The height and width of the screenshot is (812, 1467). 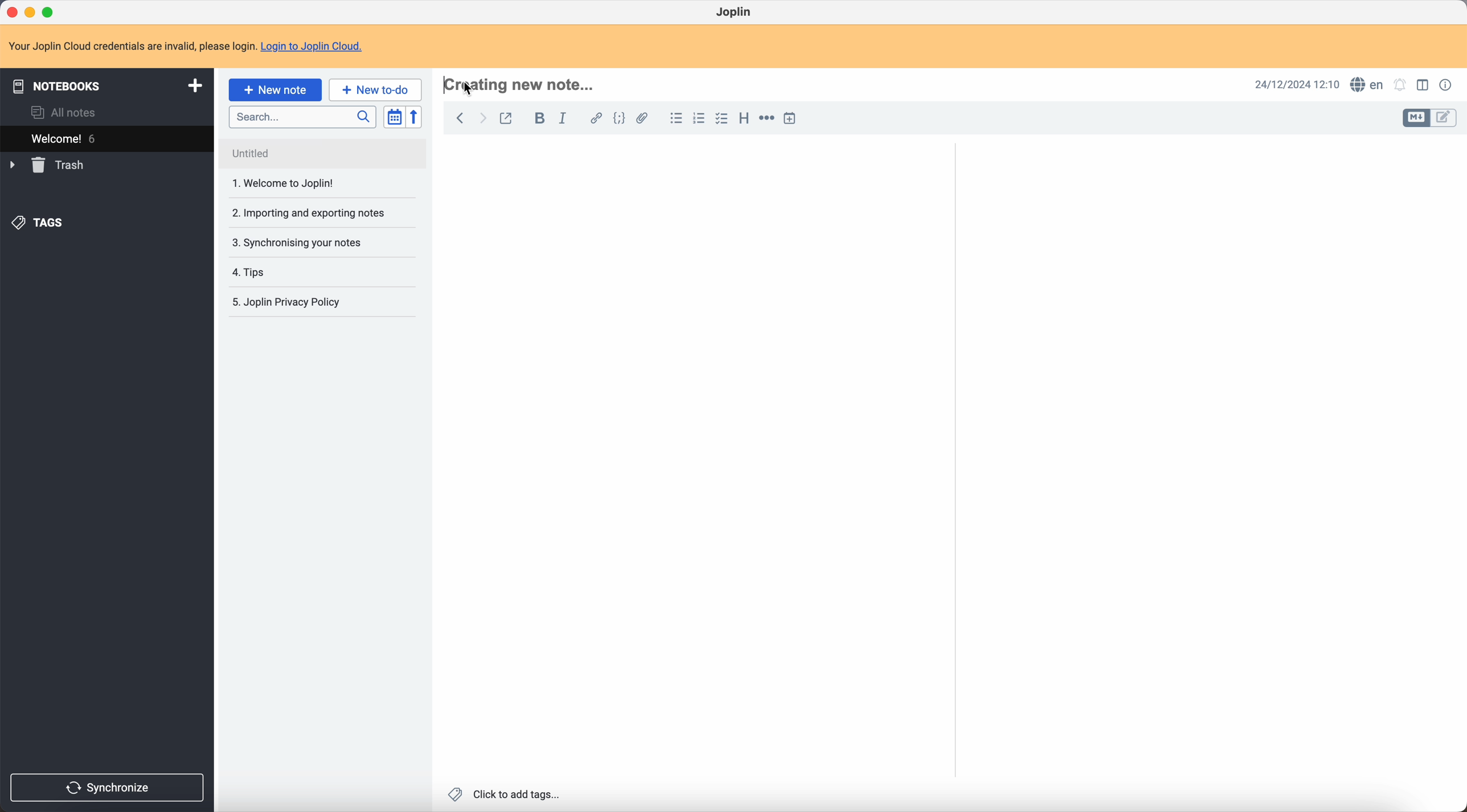 What do you see at coordinates (523, 85) in the screenshot?
I see `hotkey` at bounding box center [523, 85].